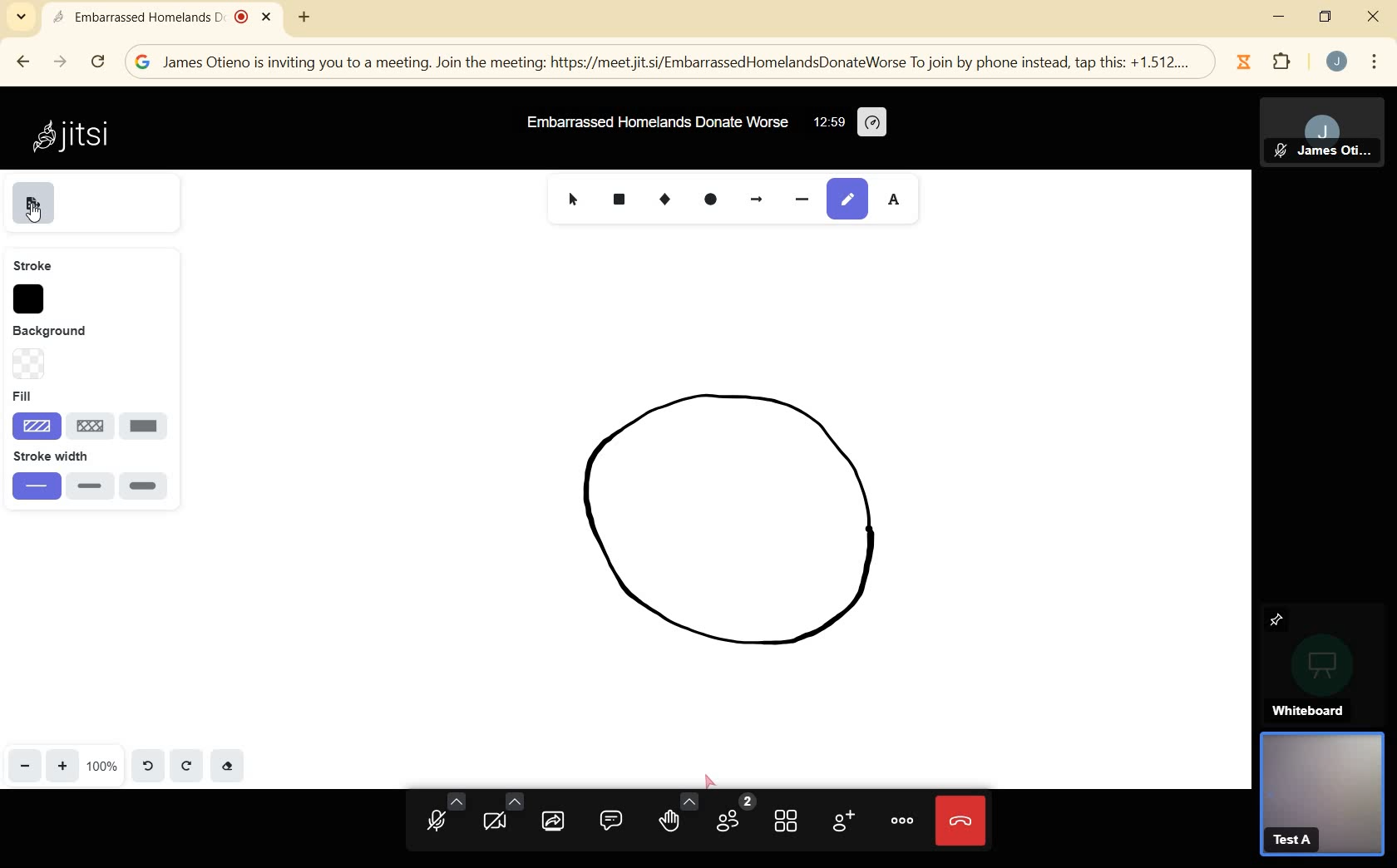 Image resolution: width=1397 pixels, height=868 pixels. What do you see at coordinates (734, 814) in the screenshot?
I see `participants (2)` at bounding box center [734, 814].